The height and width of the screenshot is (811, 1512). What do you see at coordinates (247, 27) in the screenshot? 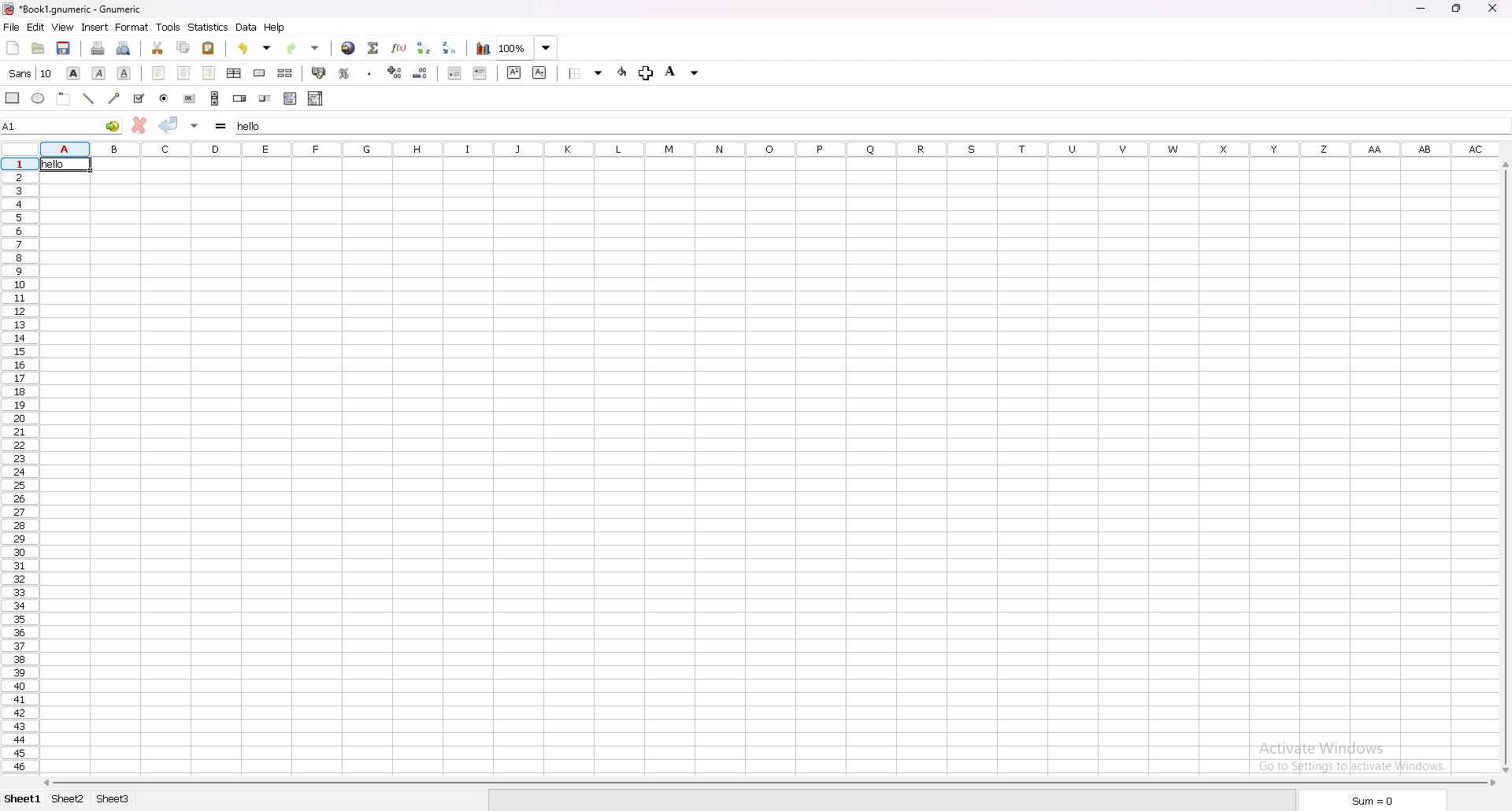
I see `data` at bounding box center [247, 27].